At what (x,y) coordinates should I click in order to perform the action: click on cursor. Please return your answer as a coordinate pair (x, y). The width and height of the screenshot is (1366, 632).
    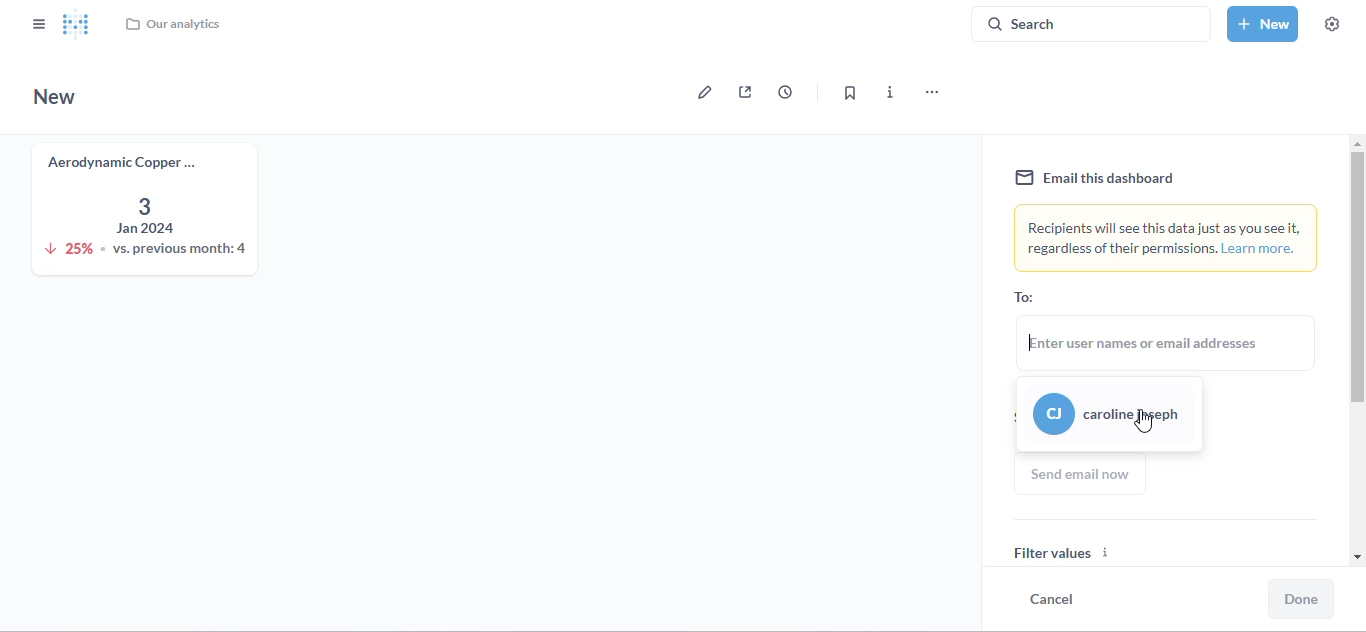
    Looking at the image, I should click on (1142, 421).